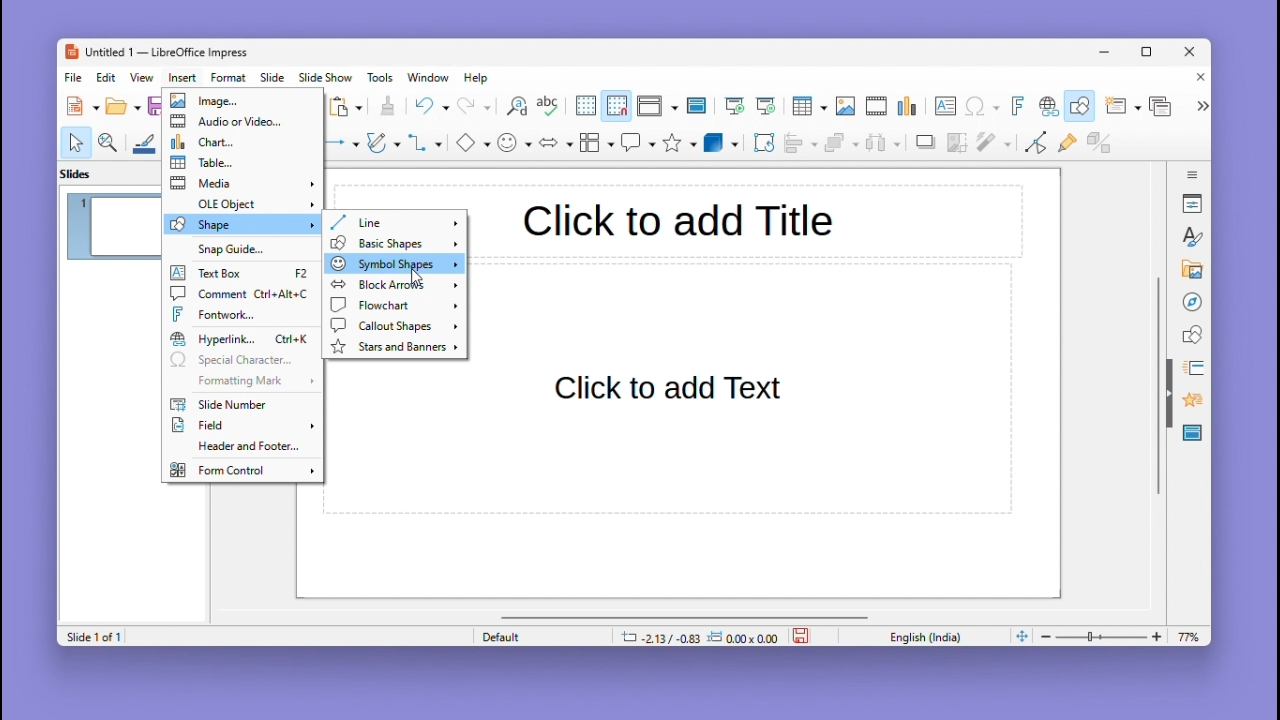  What do you see at coordinates (109, 141) in the screenshot?
I see `Magnification` at bounding box center [109, 141].